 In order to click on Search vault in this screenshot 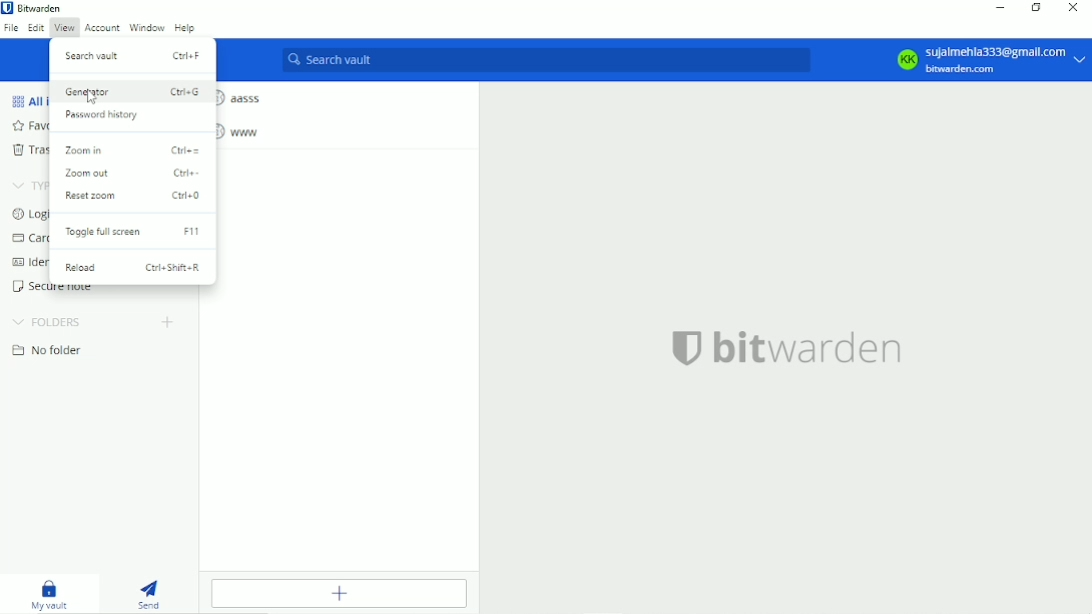, I will do `click(545, 61)`.